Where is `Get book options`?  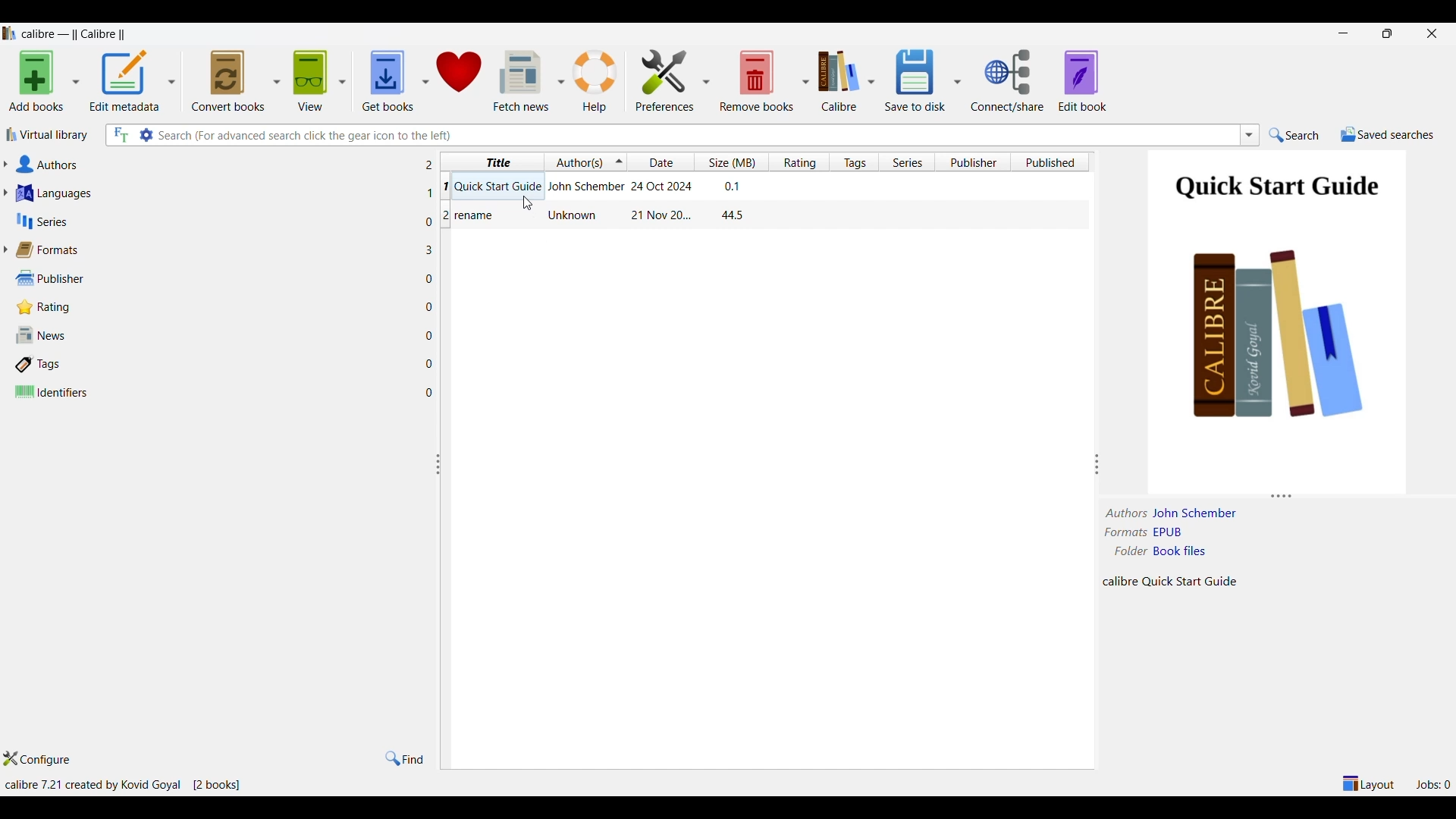 Get book options is located at coordinates (424, 80).